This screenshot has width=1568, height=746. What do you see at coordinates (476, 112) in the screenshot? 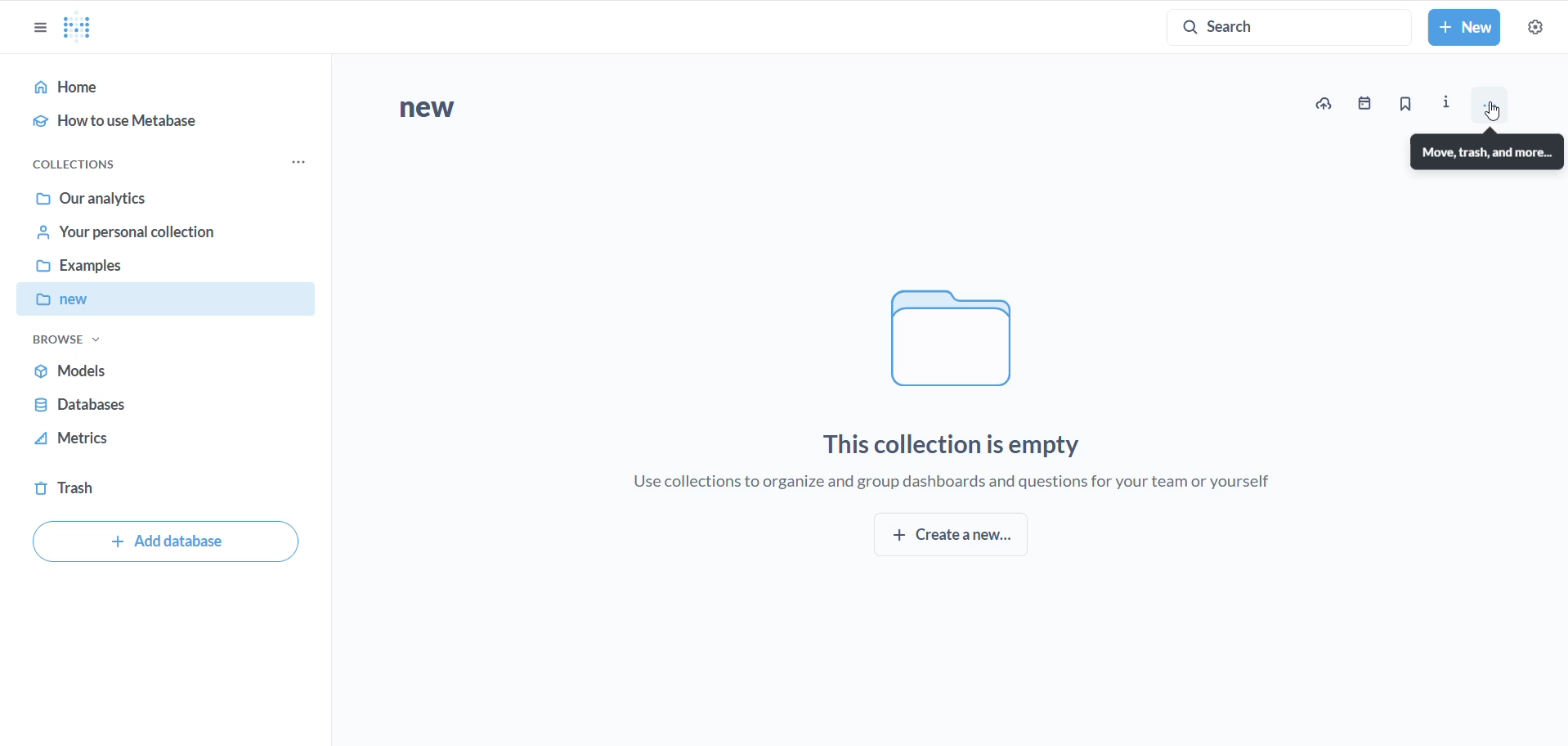
I see `new` at bounding box center [476, 112].